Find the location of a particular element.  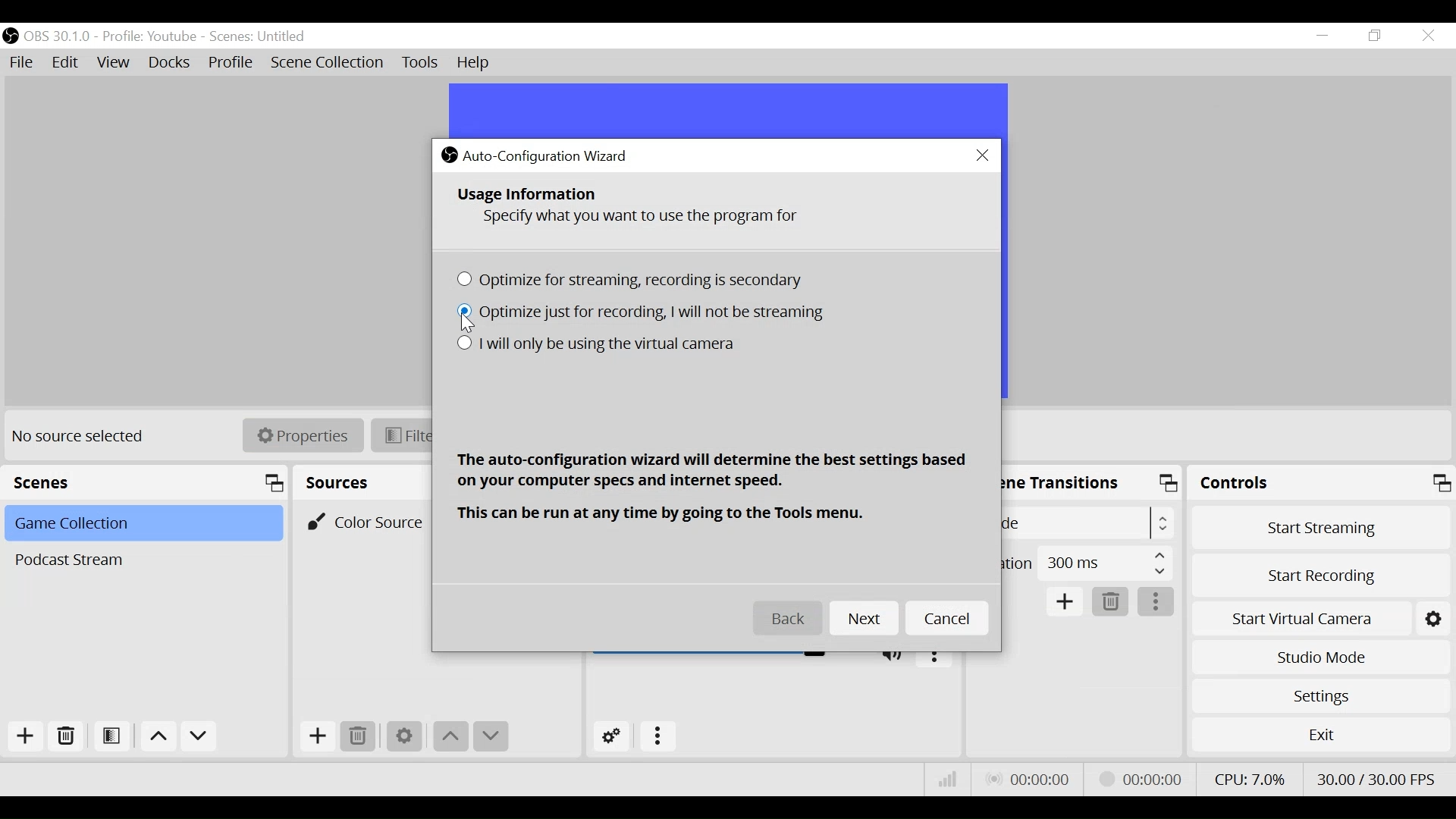

Start Streaming is located at coordinates (1317, 526).